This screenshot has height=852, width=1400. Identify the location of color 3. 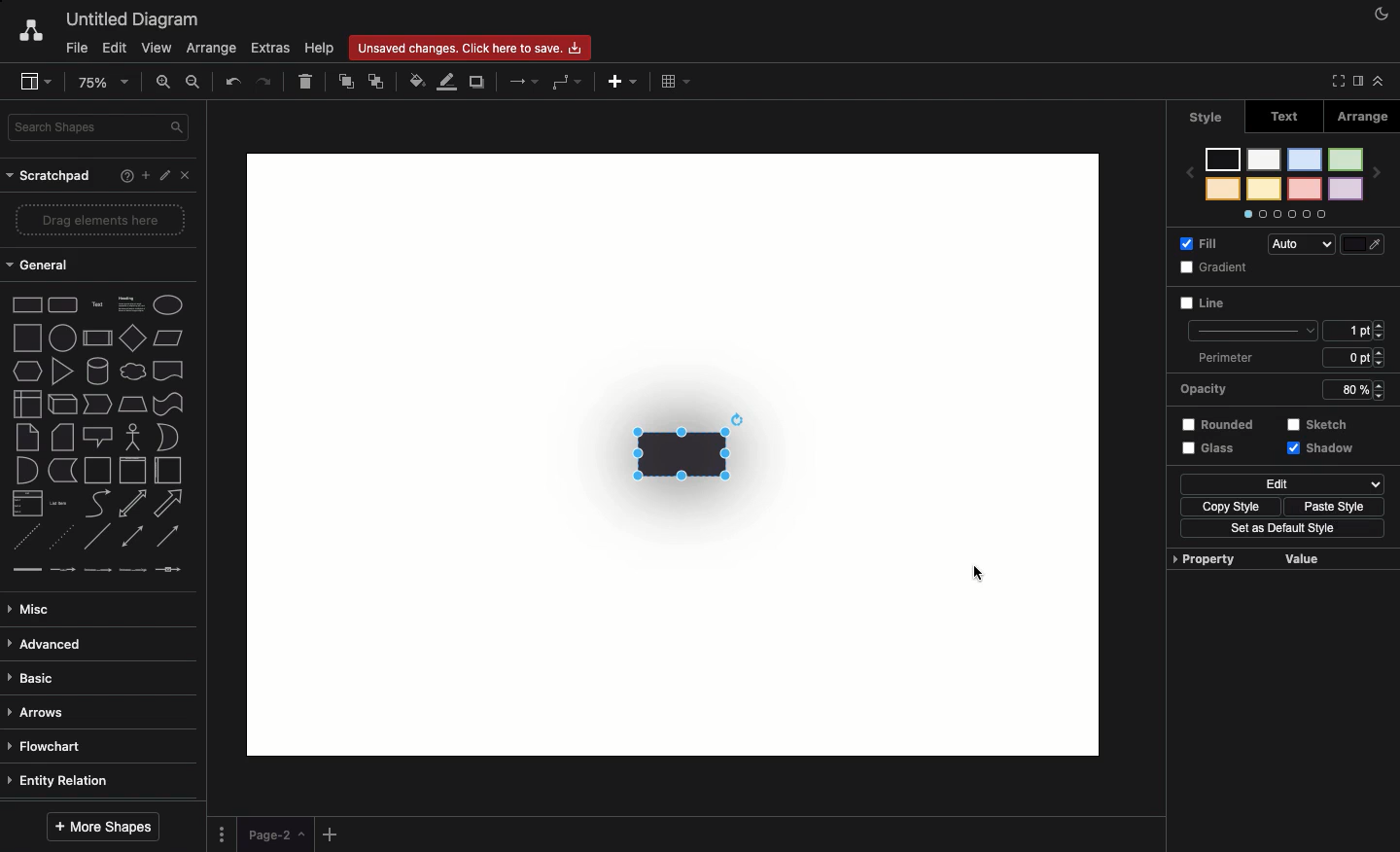
(1304, 160).